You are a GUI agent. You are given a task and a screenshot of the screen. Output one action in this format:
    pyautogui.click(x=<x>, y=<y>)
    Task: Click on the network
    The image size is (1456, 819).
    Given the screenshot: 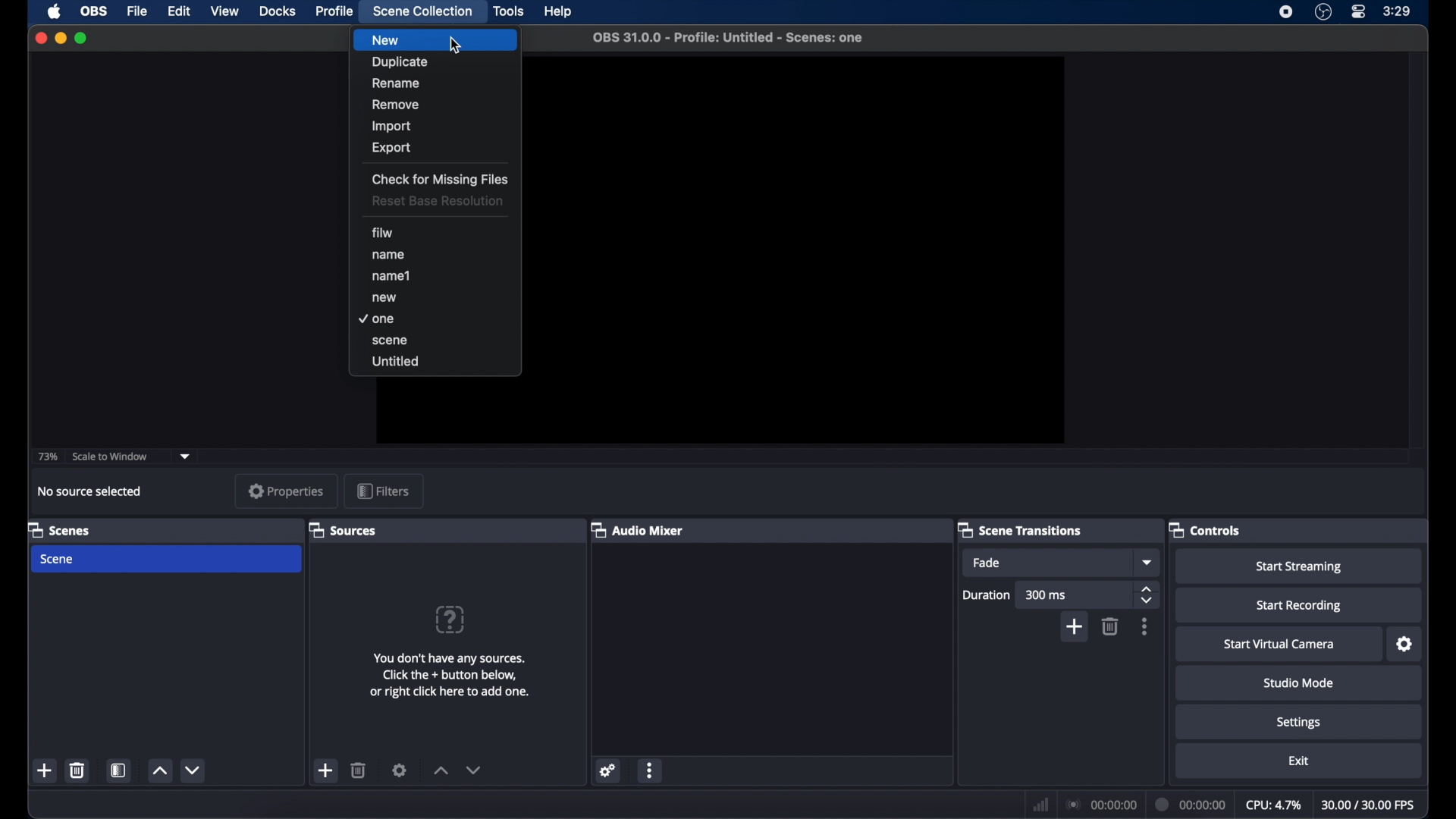 What is the action you would take?
    pyautogui.click(x=1039, y=802)
    